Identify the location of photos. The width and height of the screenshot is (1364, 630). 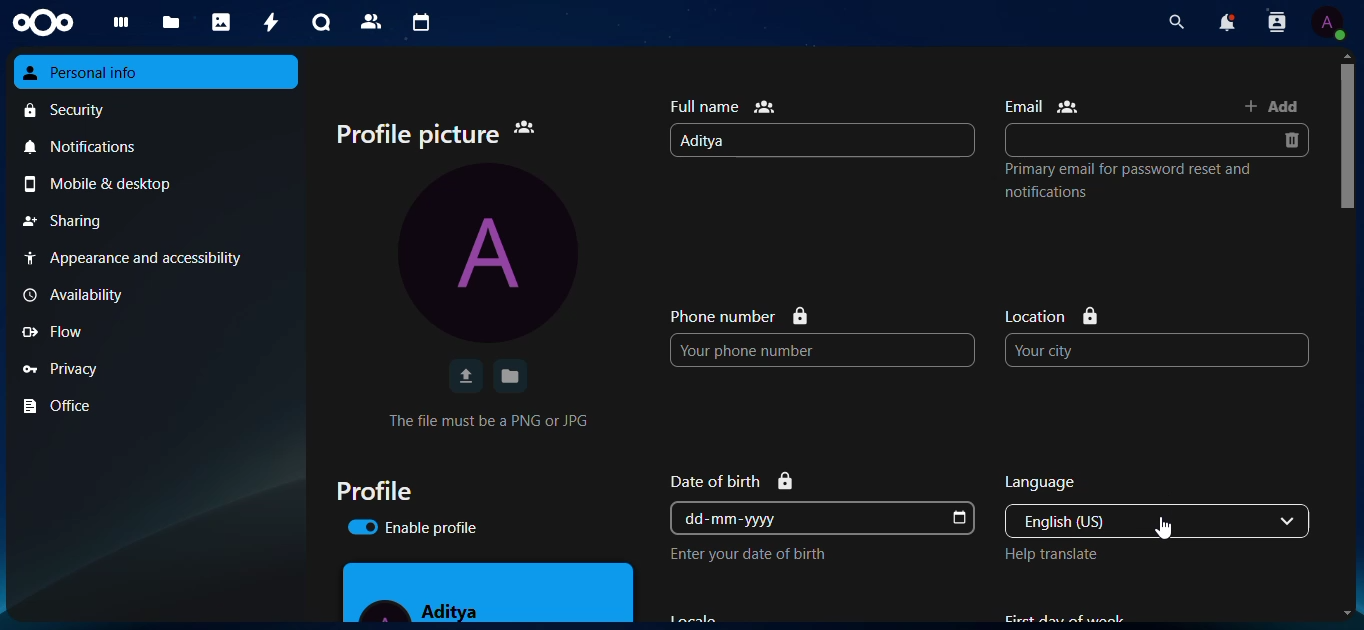
(222, 22).